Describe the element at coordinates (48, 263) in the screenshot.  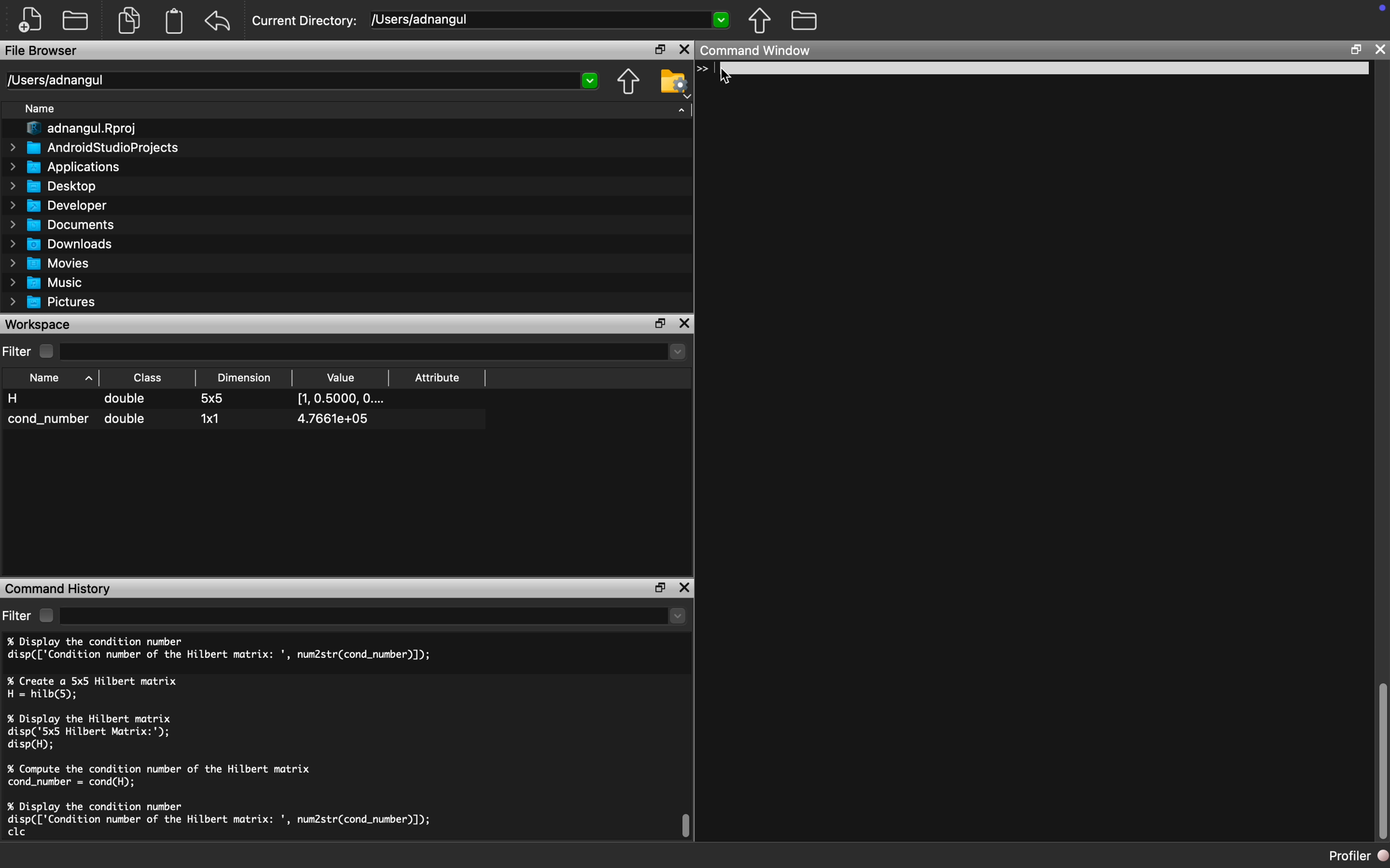
I see `Movies` at that location.